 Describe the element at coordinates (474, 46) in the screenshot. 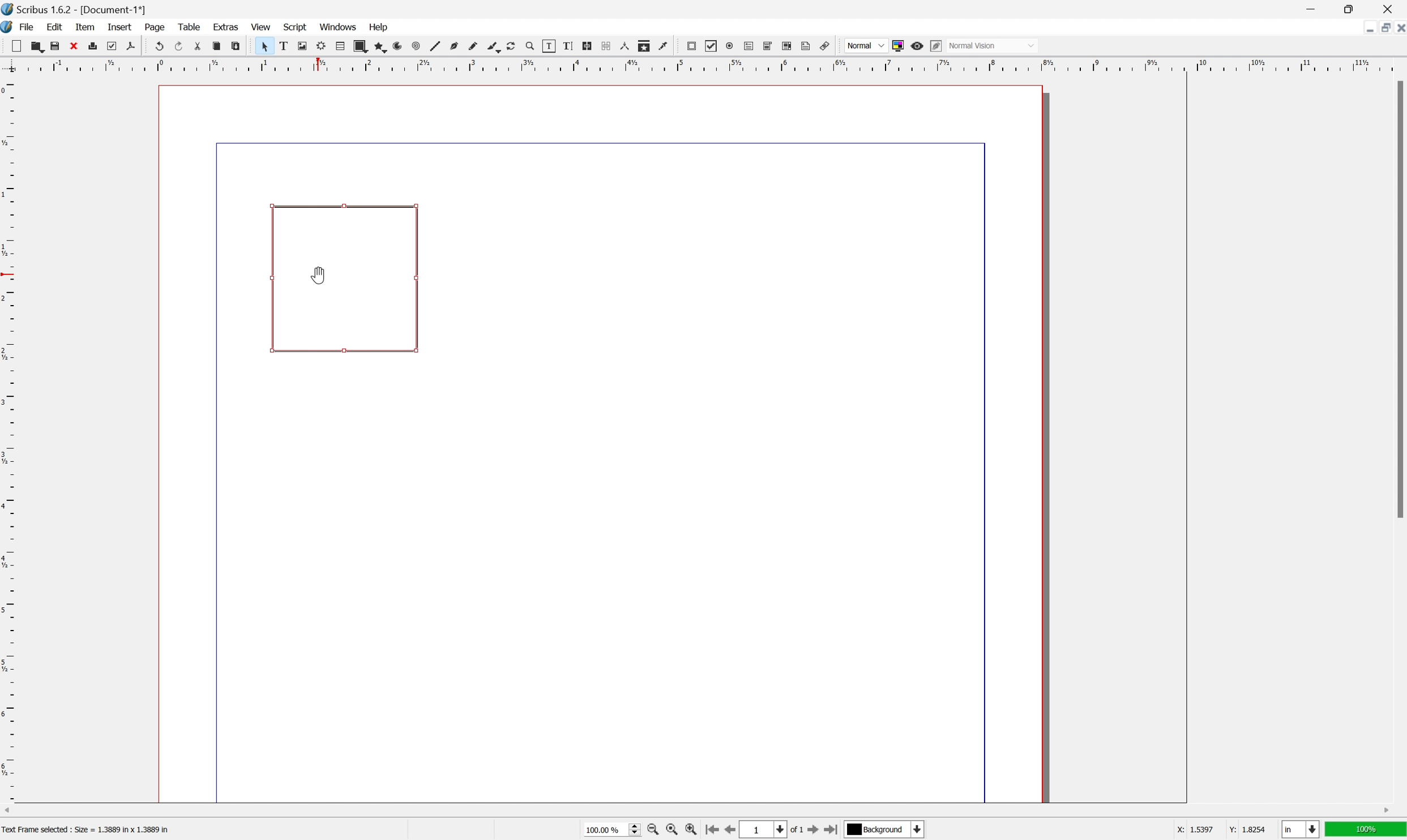

I see `freehand line` at that location.